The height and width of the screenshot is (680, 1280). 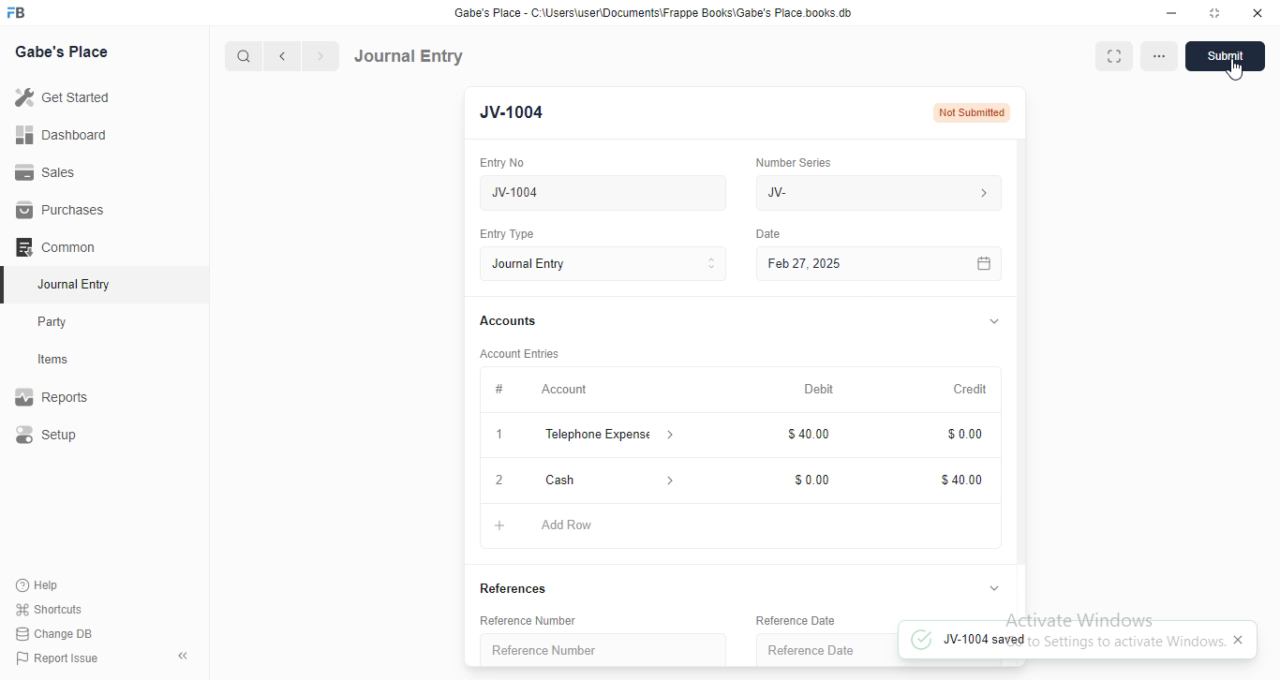 What do you see at coordinates (564, 527) in the screenshot?
I see `Add Row` at bounding box center [564, 527].